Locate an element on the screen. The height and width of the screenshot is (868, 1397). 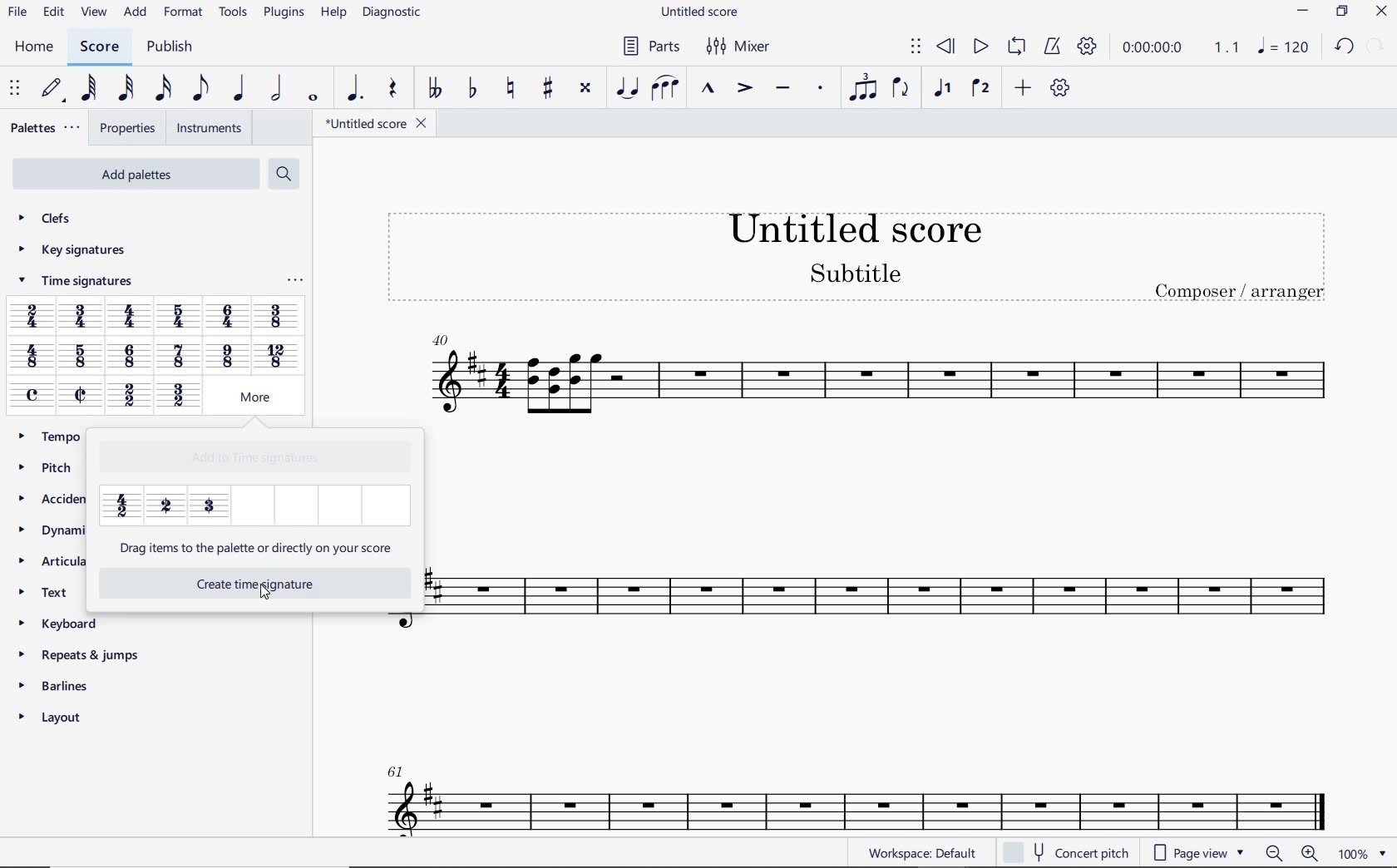
TEMPO is located at coordinates (57, 436).